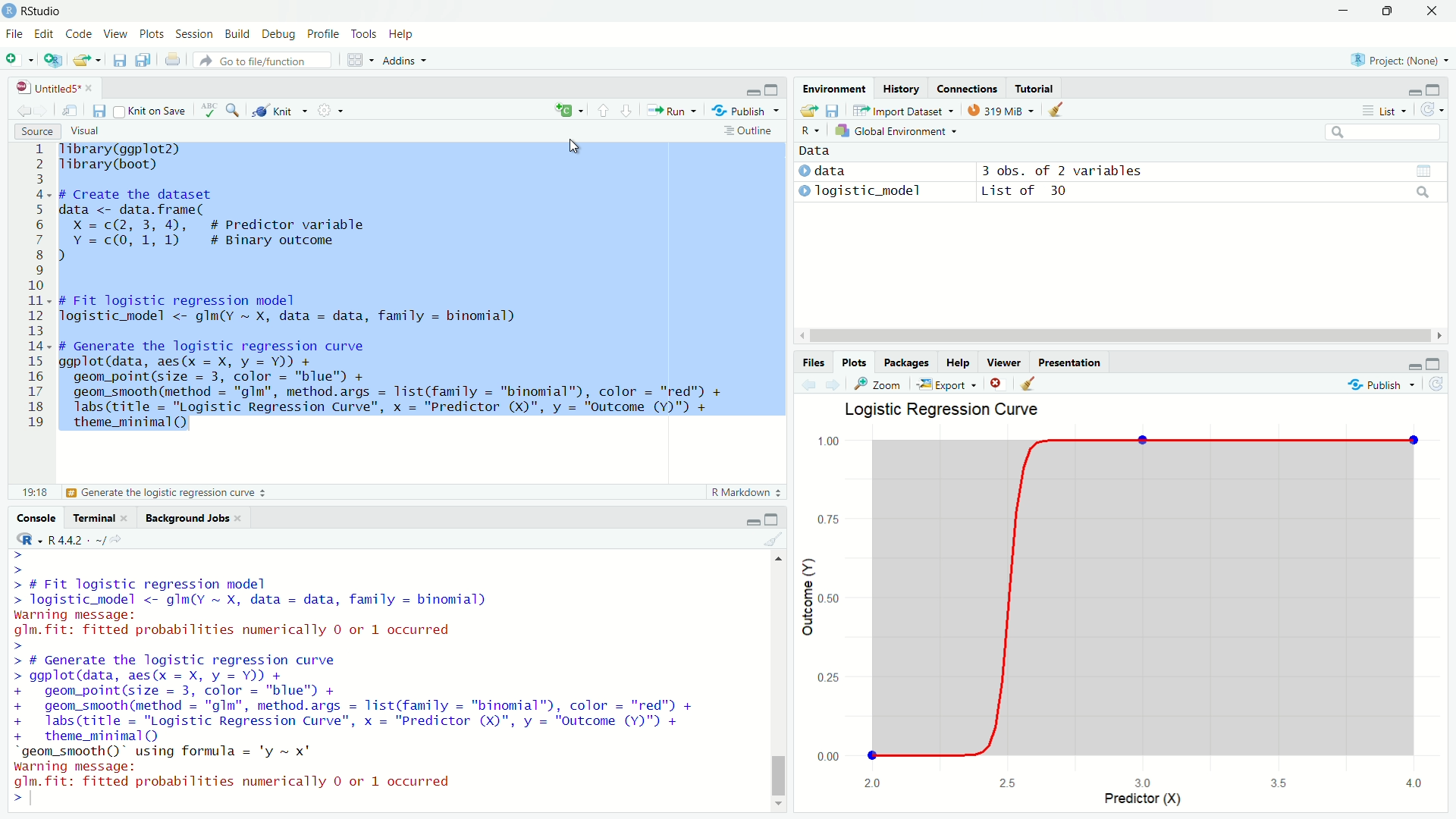 This screenshot has width=1456, height=819. What do you see at coordinates (833, 111) in the screenshot?
I see `Save workspace as` at bounding box center [833, 111].